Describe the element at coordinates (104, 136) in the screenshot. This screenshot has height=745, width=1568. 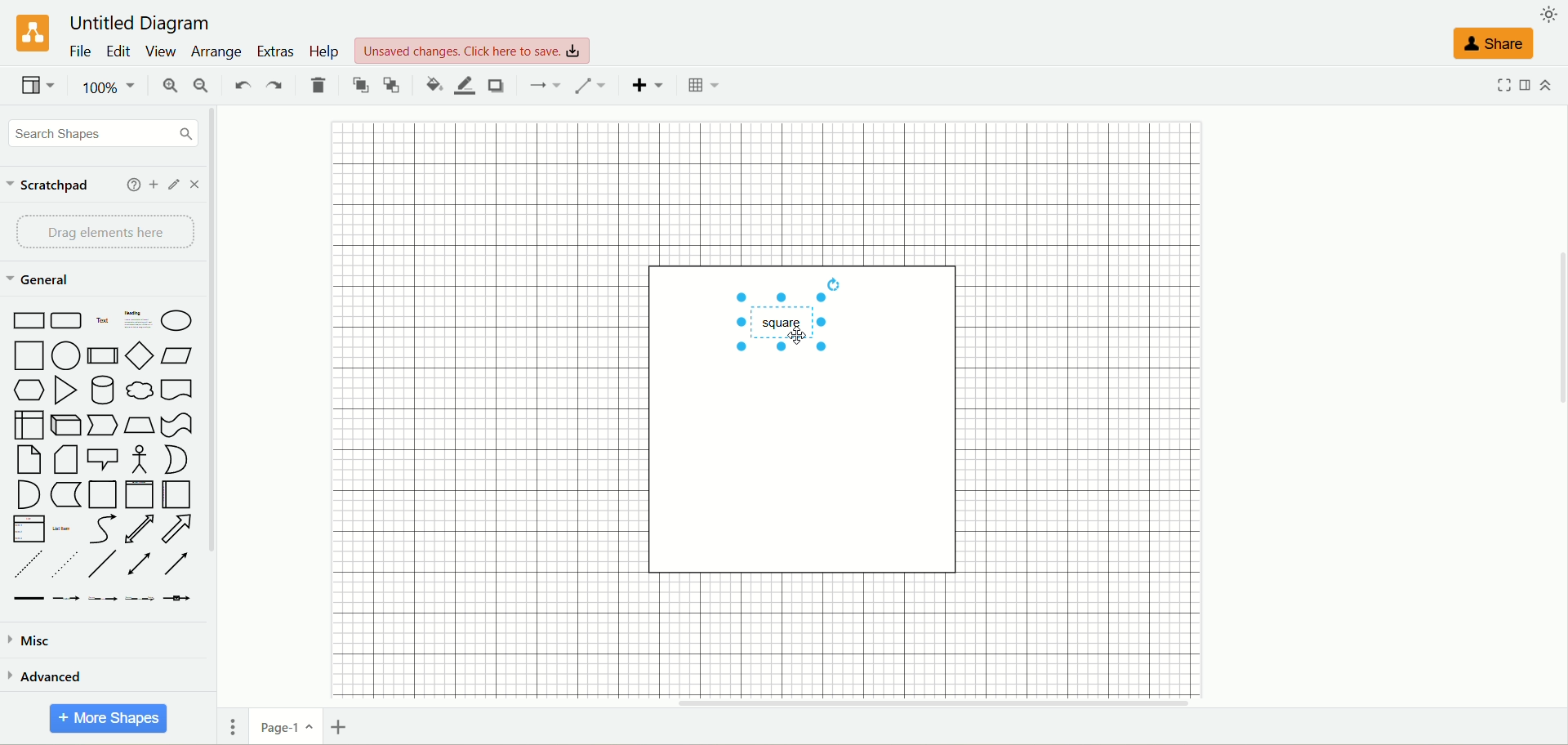
I see `search shapes` at that location.